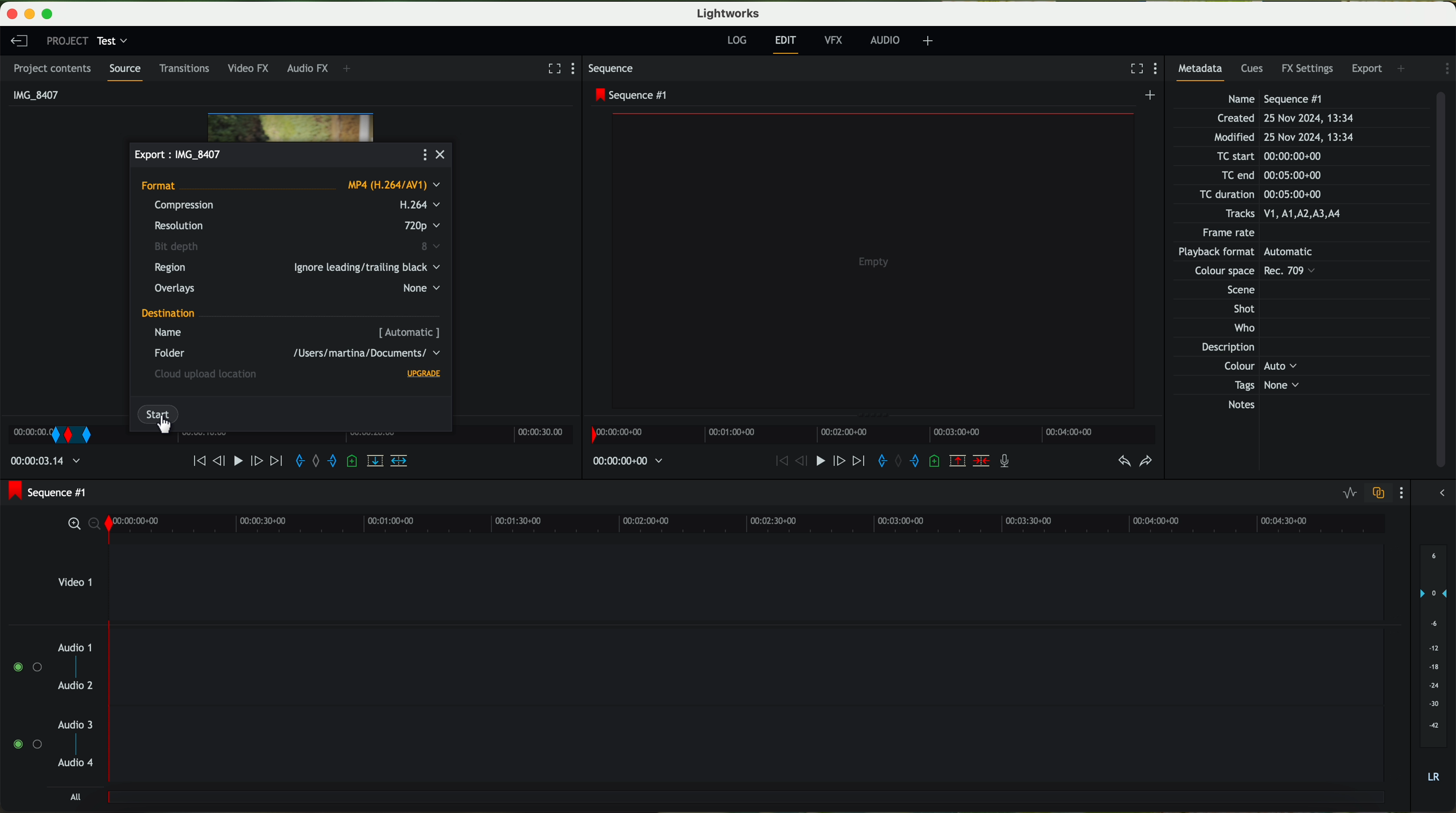 The height and width of the screenshot is (813, 1456). Describe the element at coordinates (1368, 67) in the screenshot. I see `export` at that location.